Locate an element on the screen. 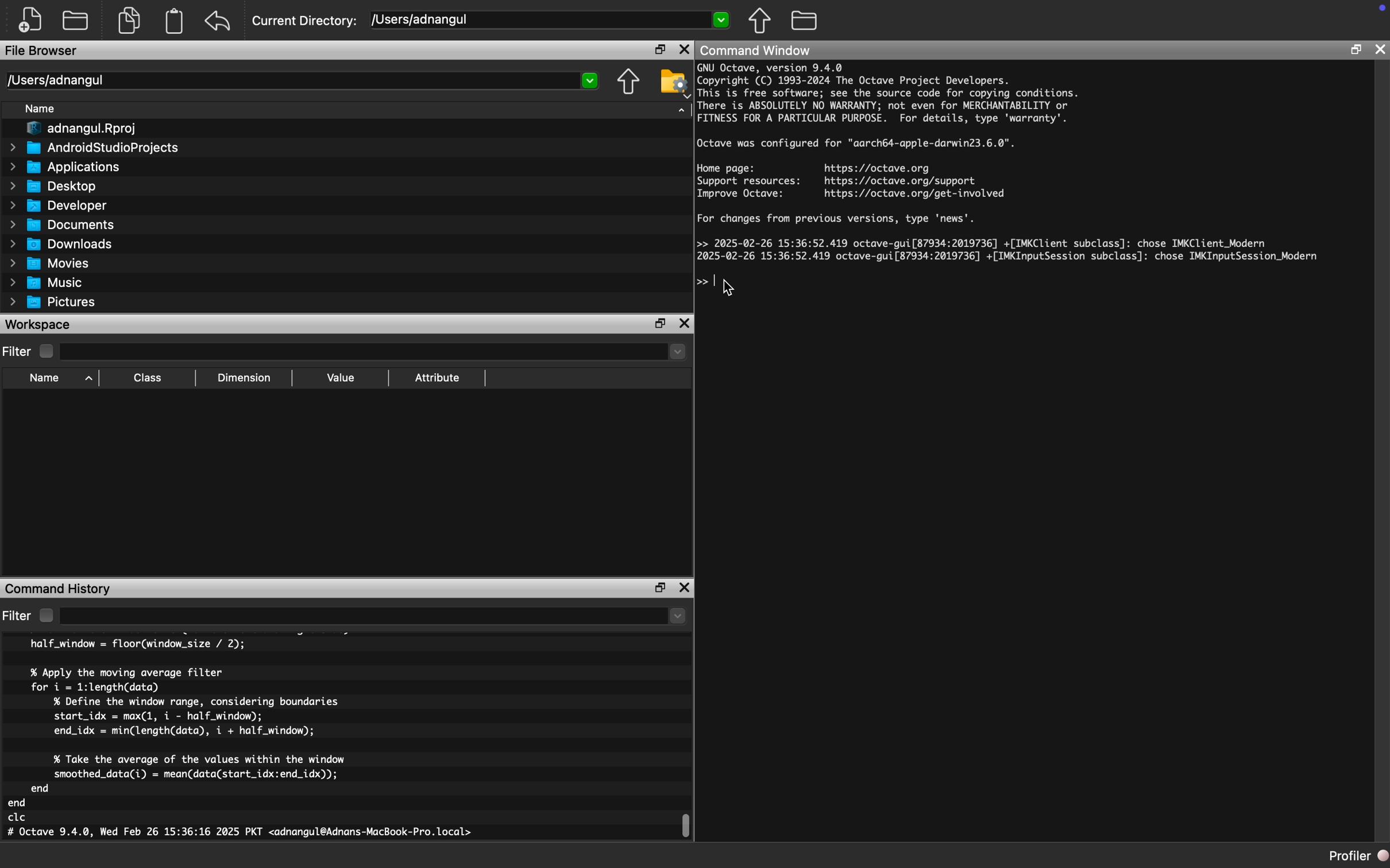 The width and height of the screenshot is (1390, 868). Close is located at coordinates (685, 323).